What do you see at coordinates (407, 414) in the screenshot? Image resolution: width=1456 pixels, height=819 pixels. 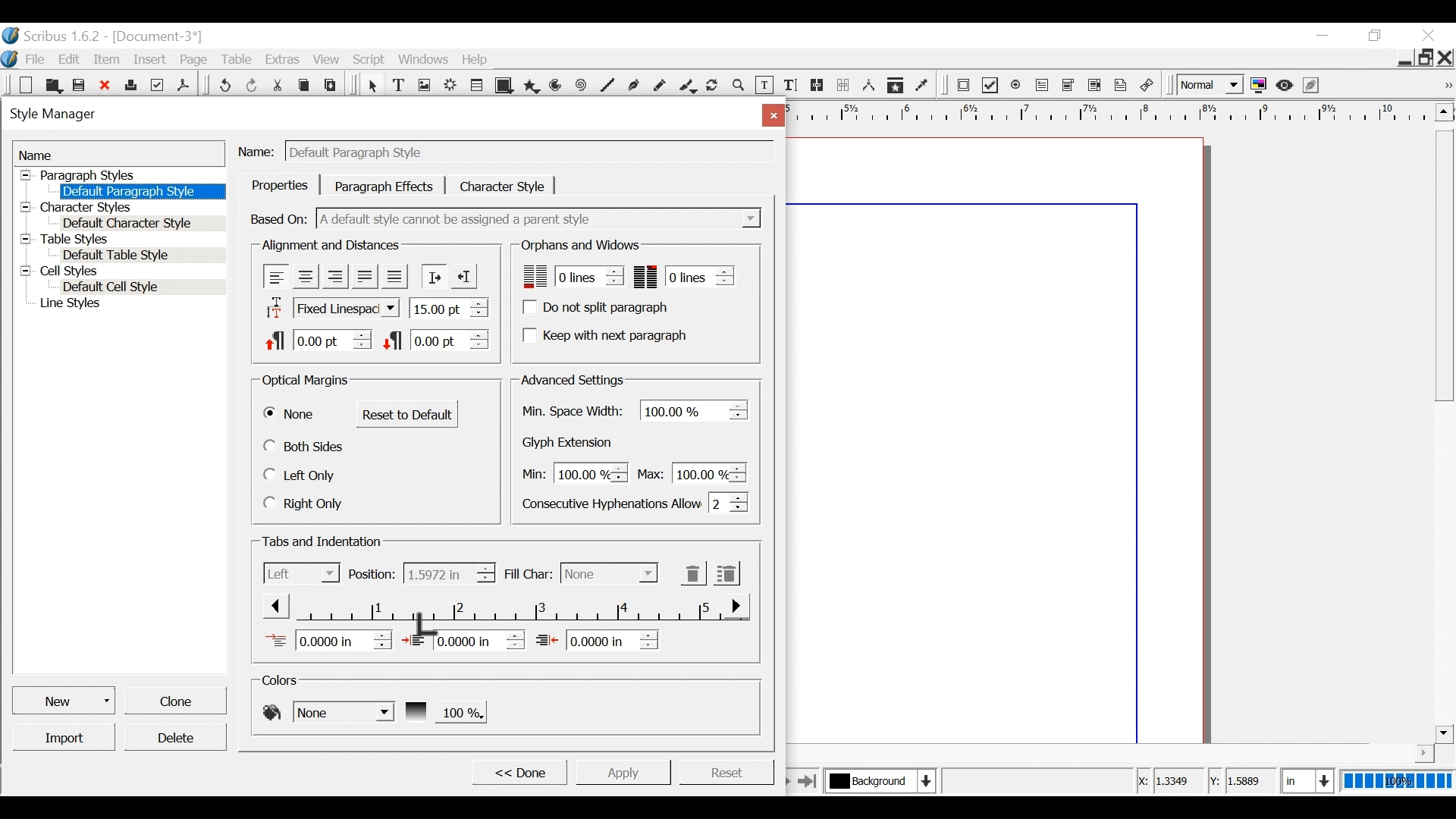 I see `Reset to Default` at bounding box center [407, 414].